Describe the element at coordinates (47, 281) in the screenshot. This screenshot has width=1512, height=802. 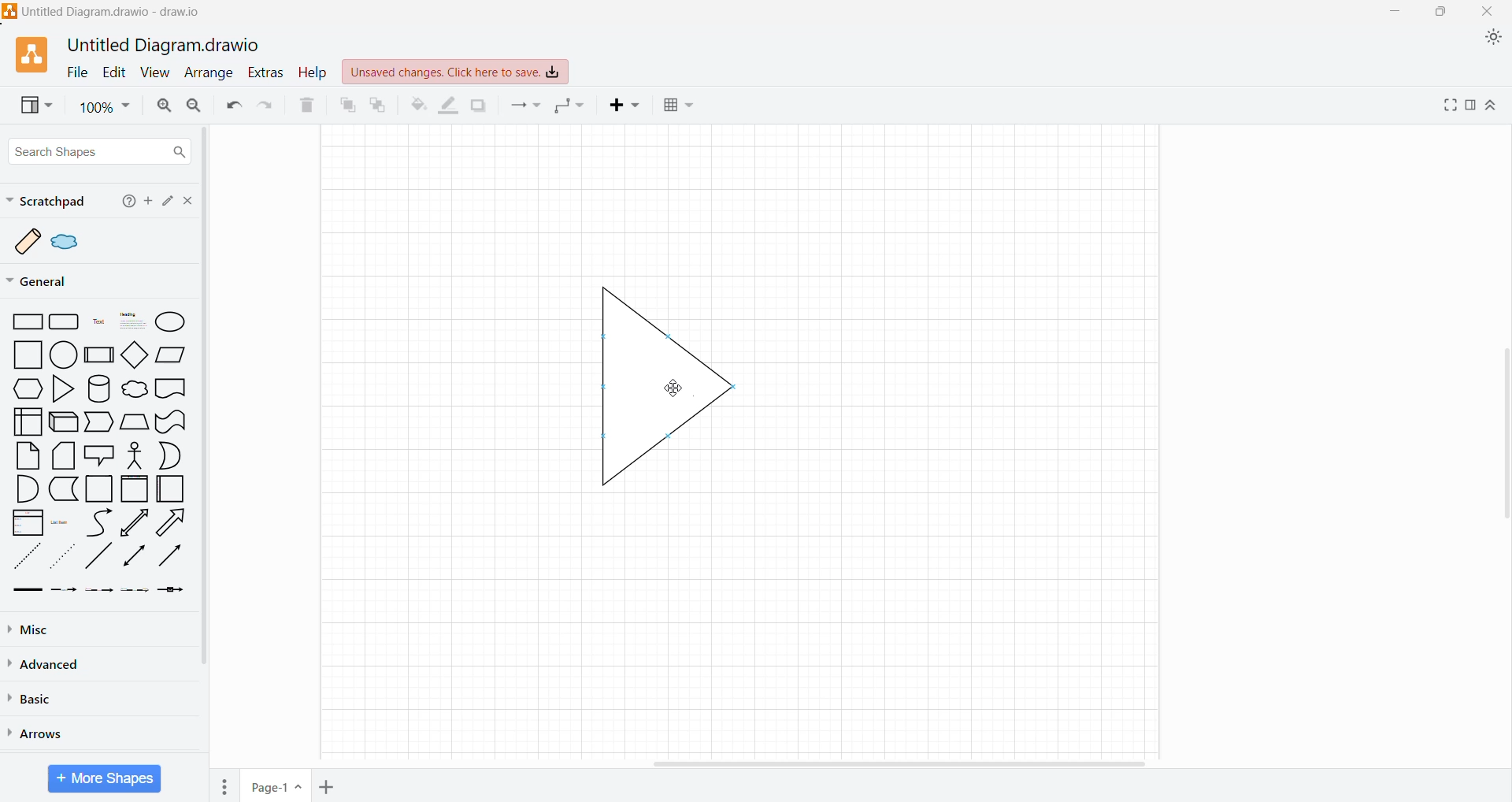
I see `General ` at that location.